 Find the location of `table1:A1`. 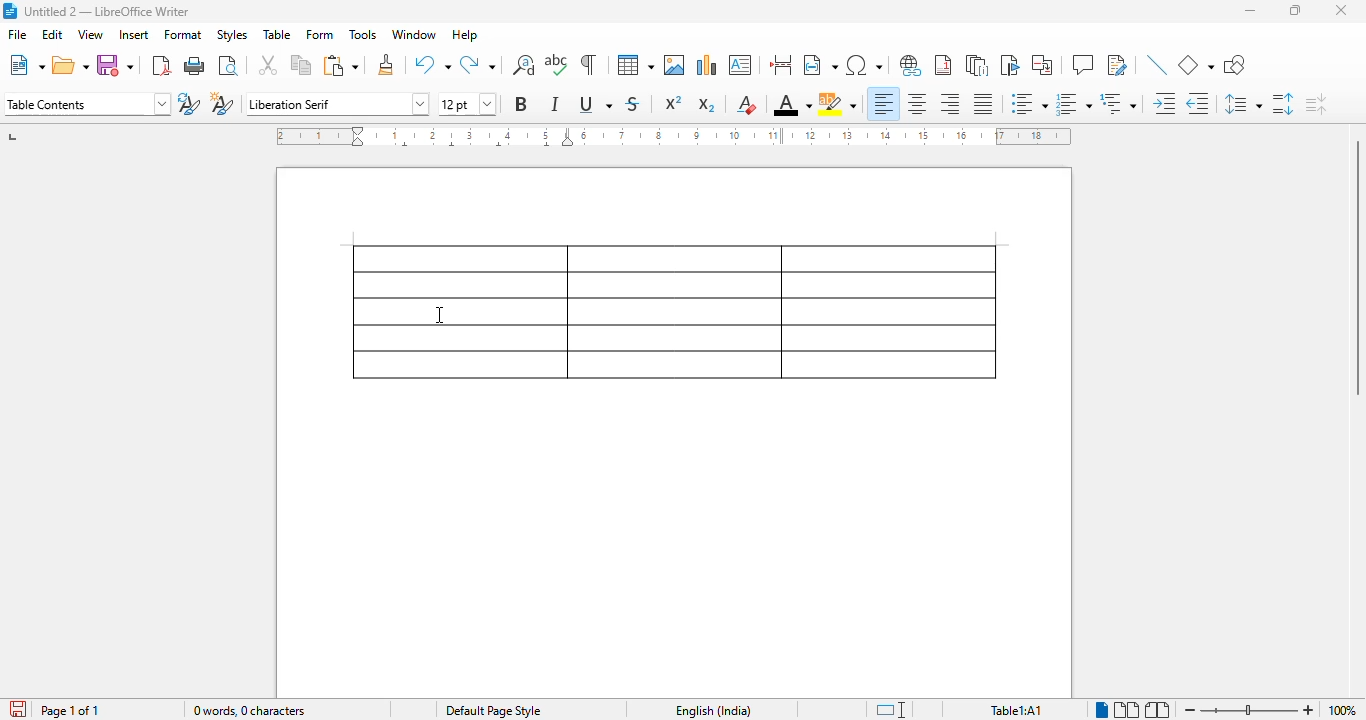

table1:A1 is located at coordinates (1017, 710).